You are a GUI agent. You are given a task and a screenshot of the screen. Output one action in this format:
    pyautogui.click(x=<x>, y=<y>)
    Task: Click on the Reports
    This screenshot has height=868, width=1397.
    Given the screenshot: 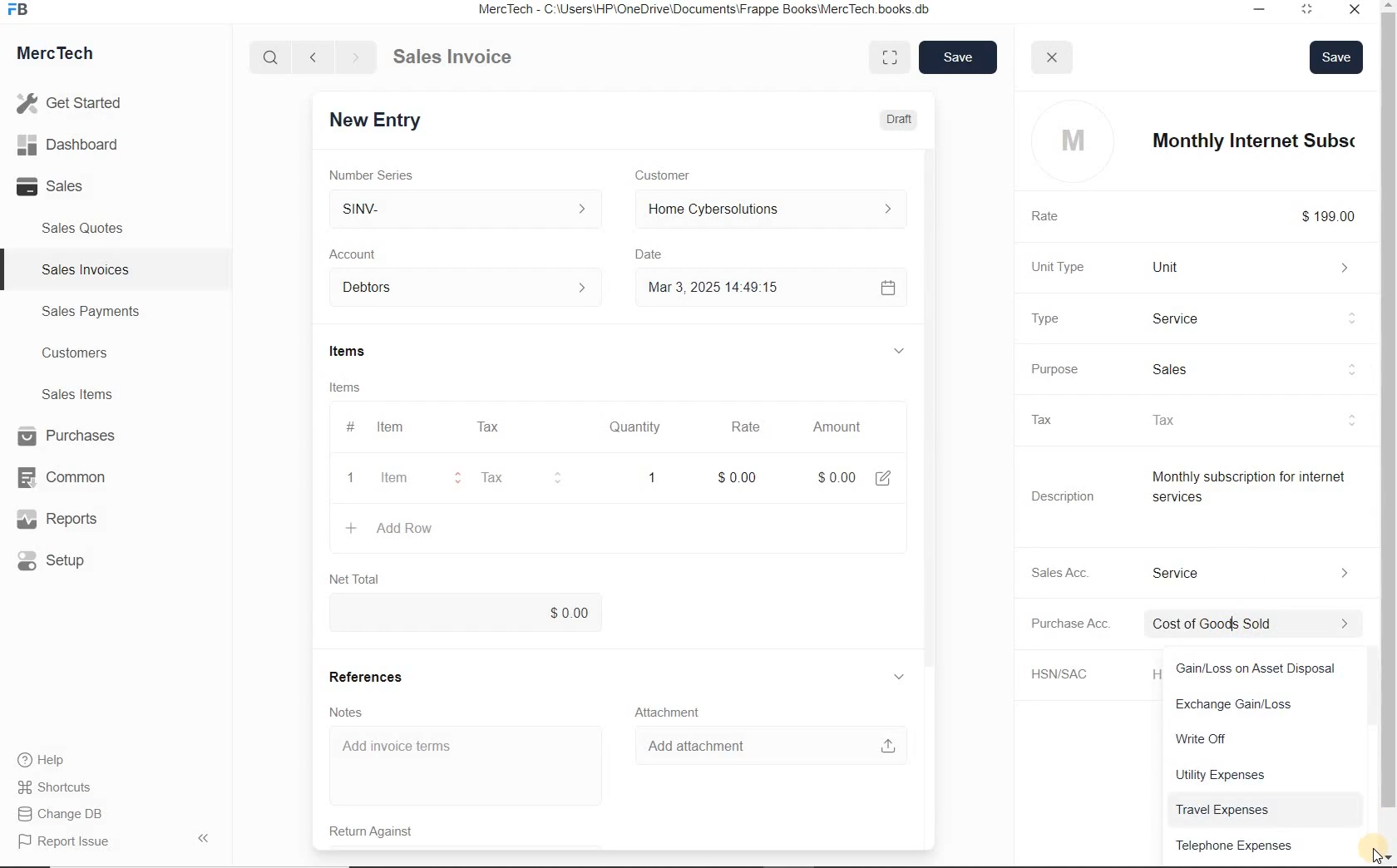 What is the action you would take?
    pyautogui.click(x=70, y=520)
    